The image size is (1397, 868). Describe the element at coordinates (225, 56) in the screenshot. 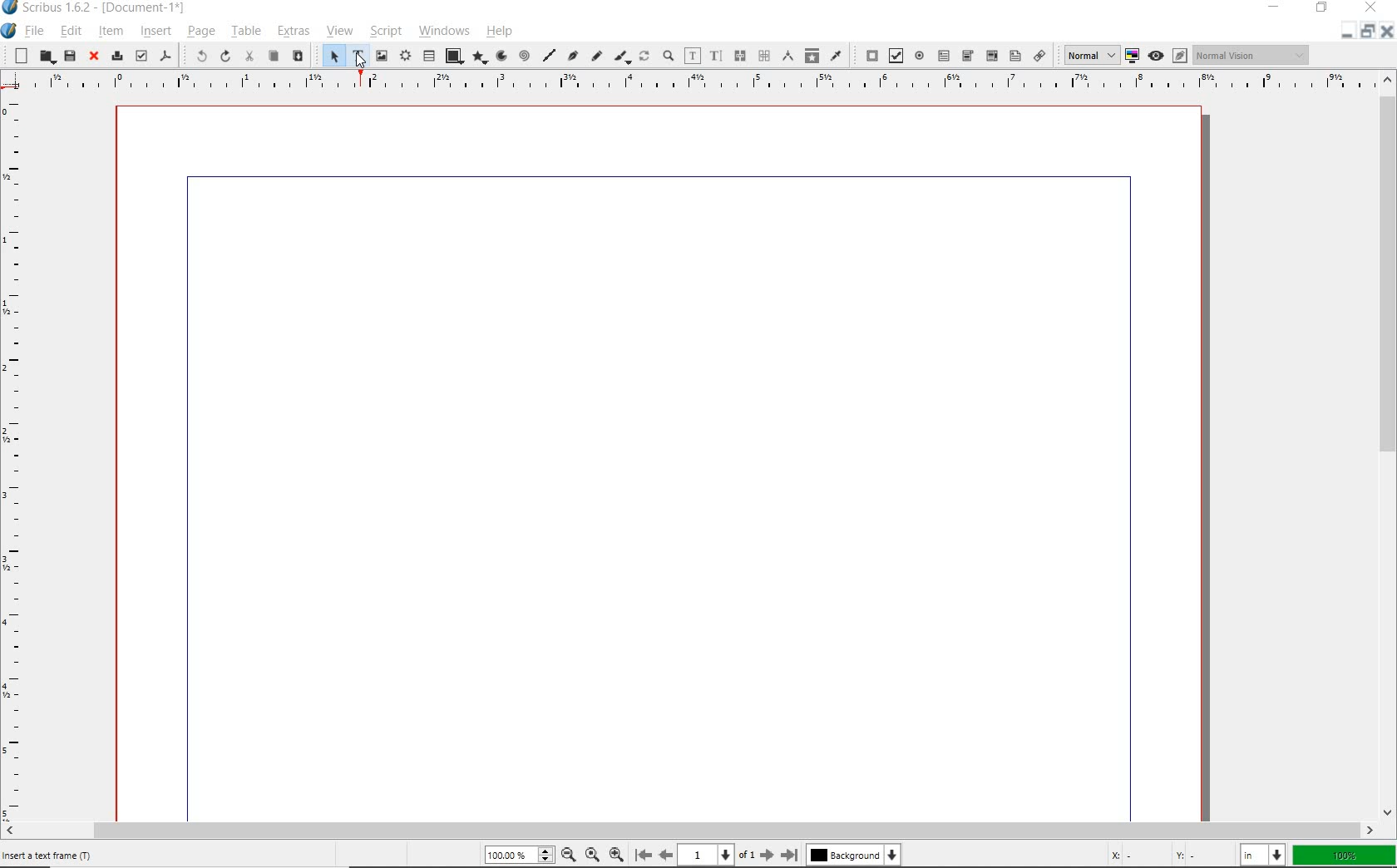

I see `redo` at that location.